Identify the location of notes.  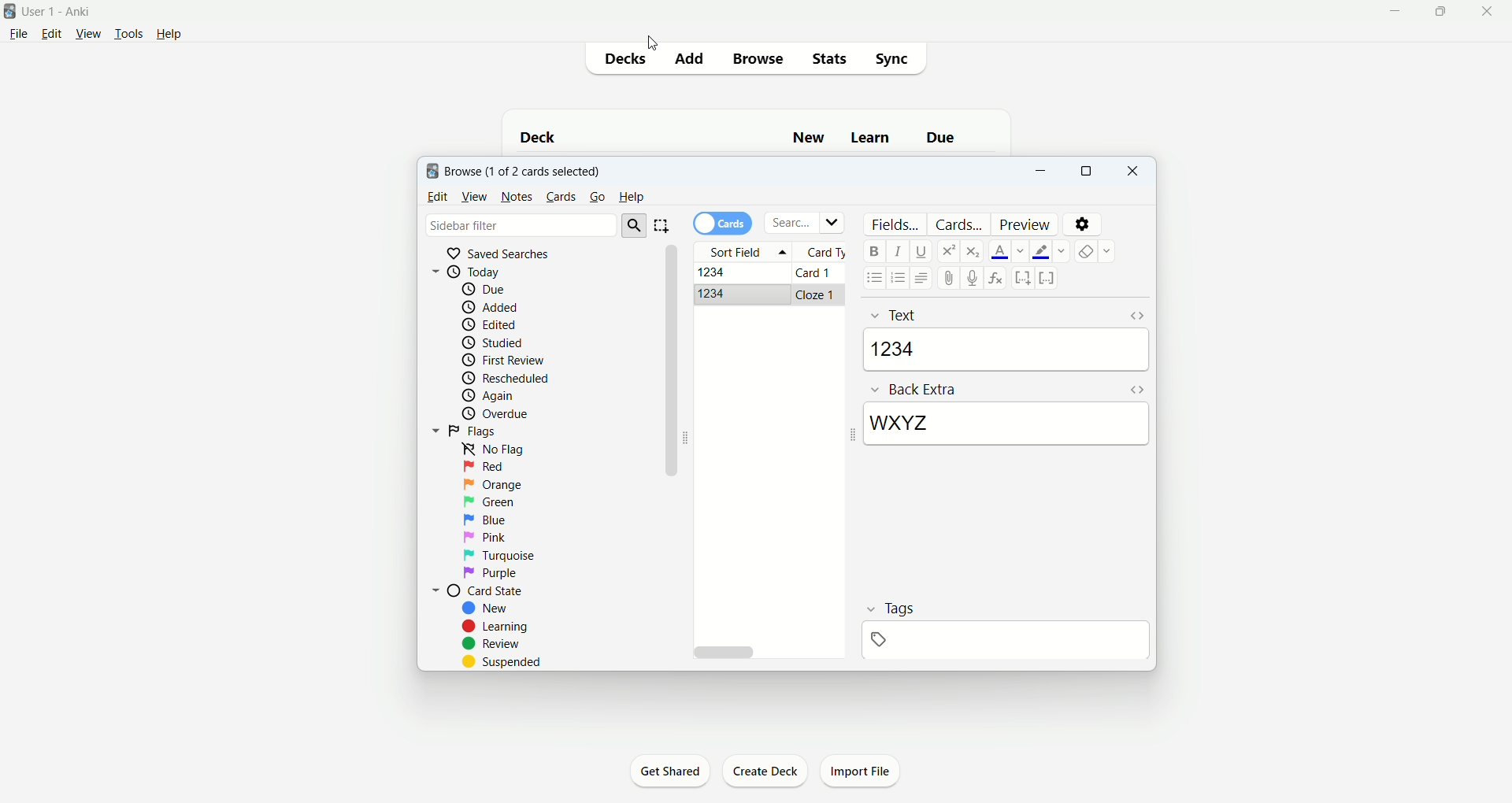
(519, 196).